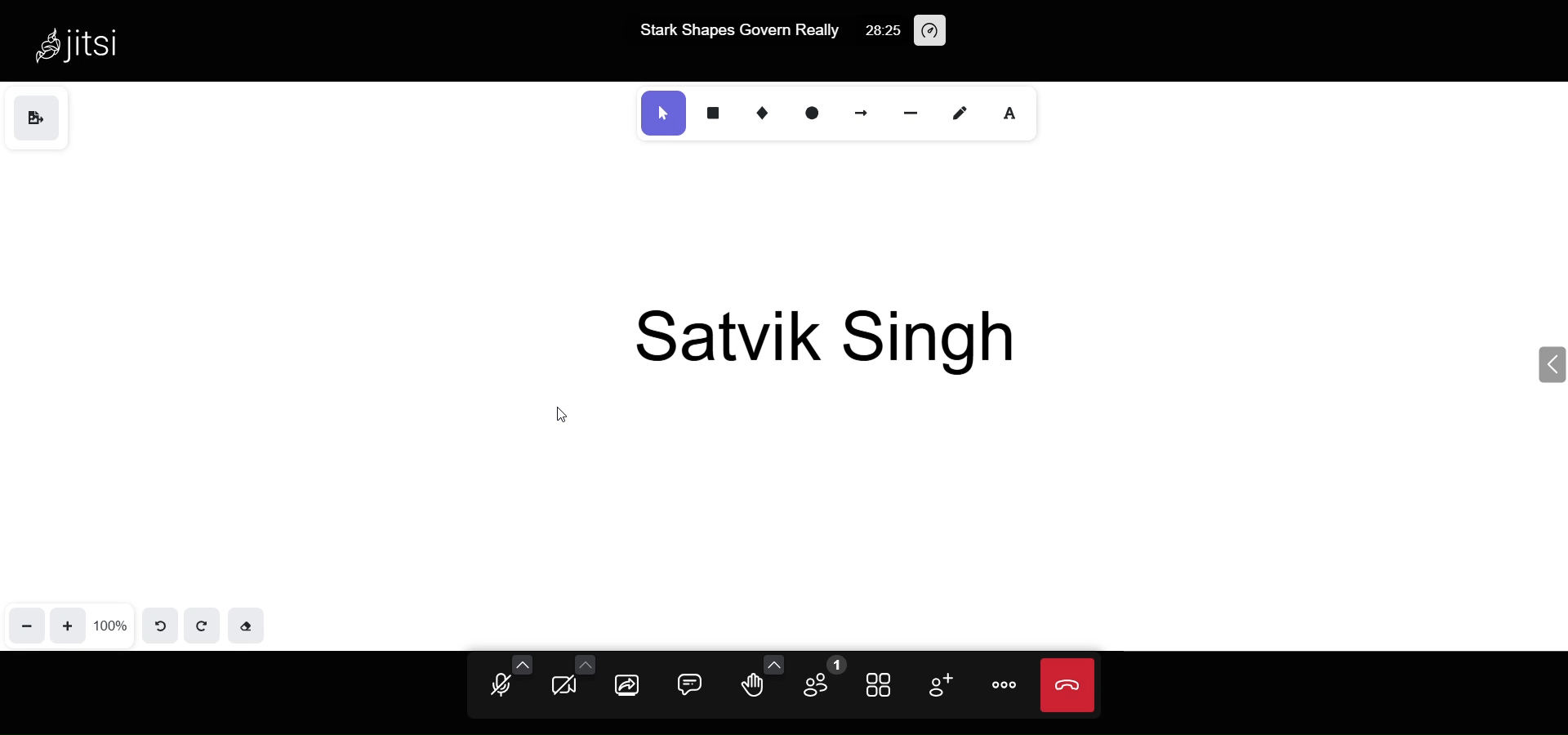 This screenshot has height=735, width=1568. Describe the element at coordinates (246, 624) in the screenshot. I see `eraser` at that location.